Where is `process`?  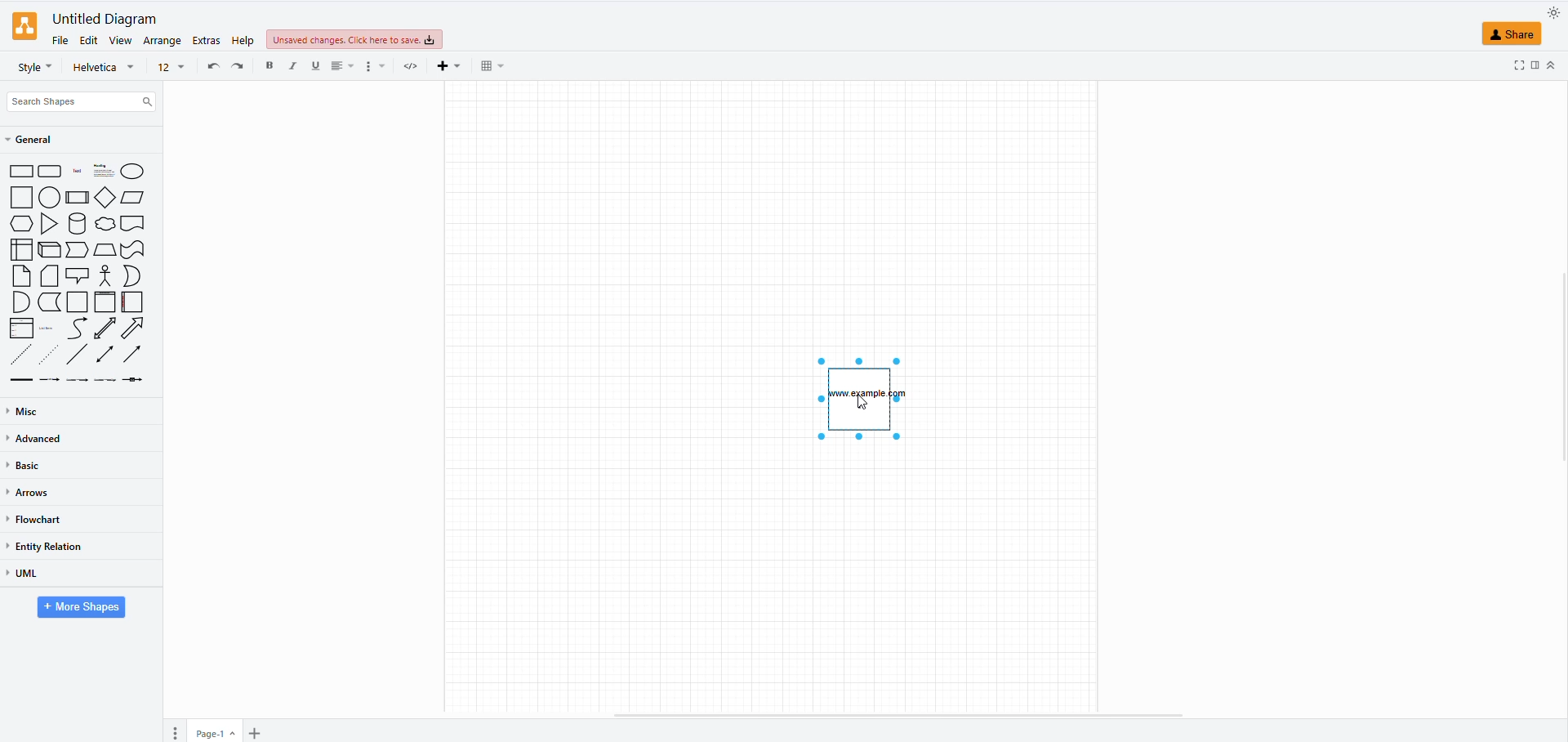 process is located at coordinates (77, 197).